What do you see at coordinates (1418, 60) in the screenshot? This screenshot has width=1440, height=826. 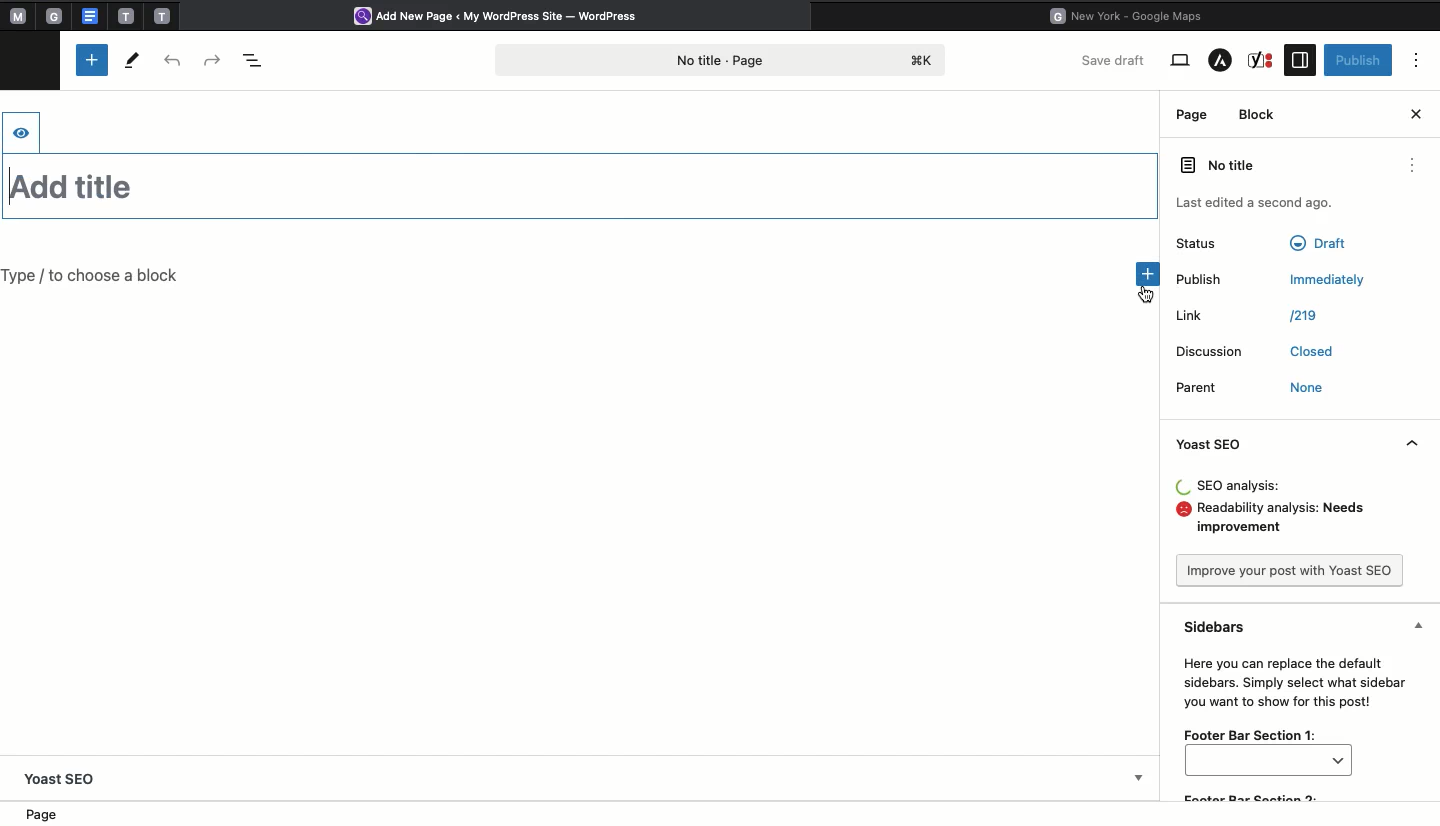 I see `Options` at bounding box center [1418, 60].